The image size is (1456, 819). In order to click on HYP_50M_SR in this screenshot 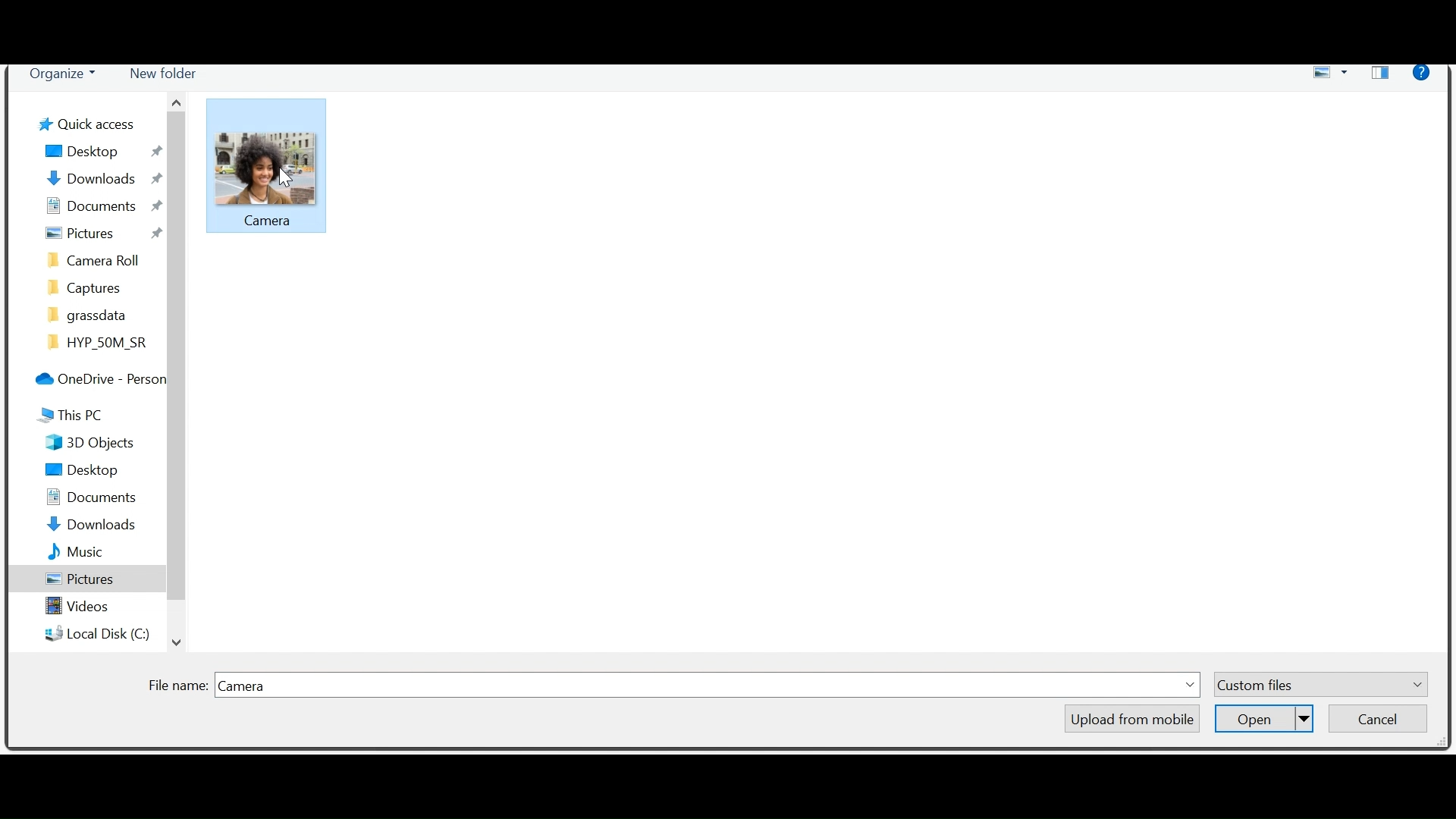, I will do `click(101, 344)`.